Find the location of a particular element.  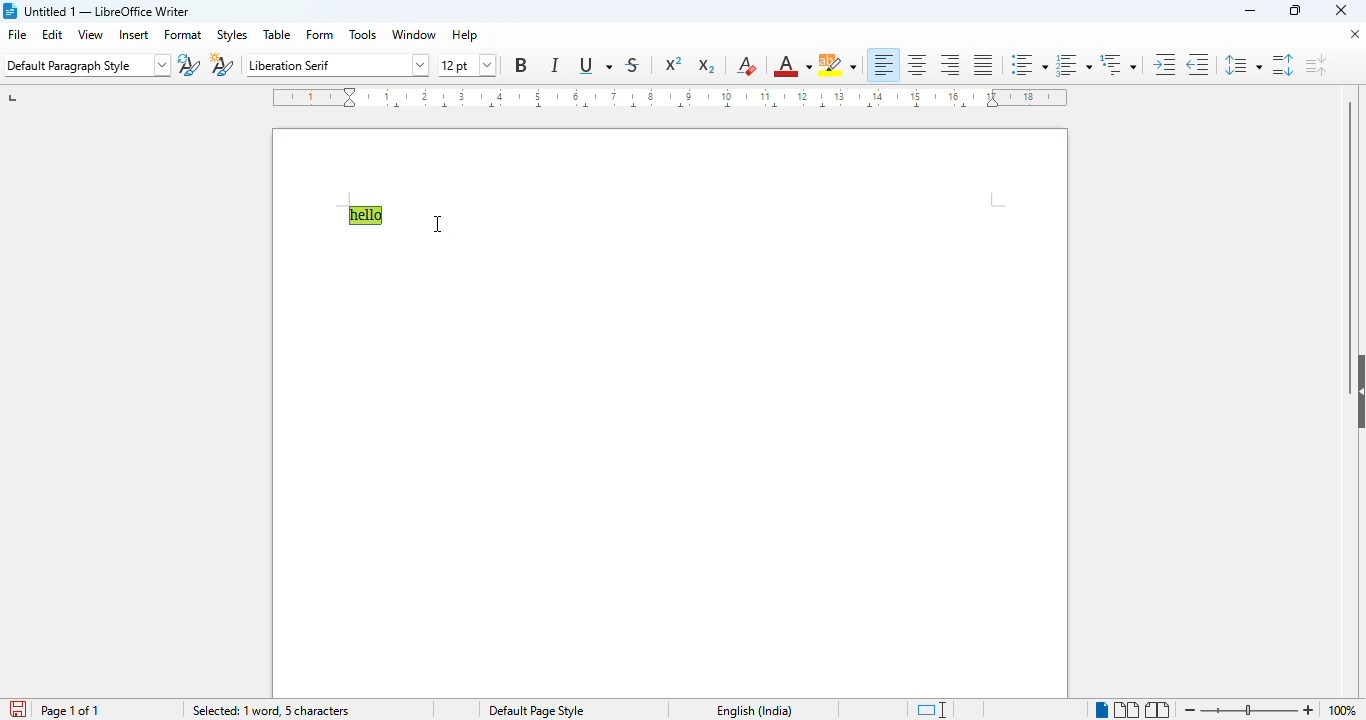

zoom out is located at coordinates (1190, 709).